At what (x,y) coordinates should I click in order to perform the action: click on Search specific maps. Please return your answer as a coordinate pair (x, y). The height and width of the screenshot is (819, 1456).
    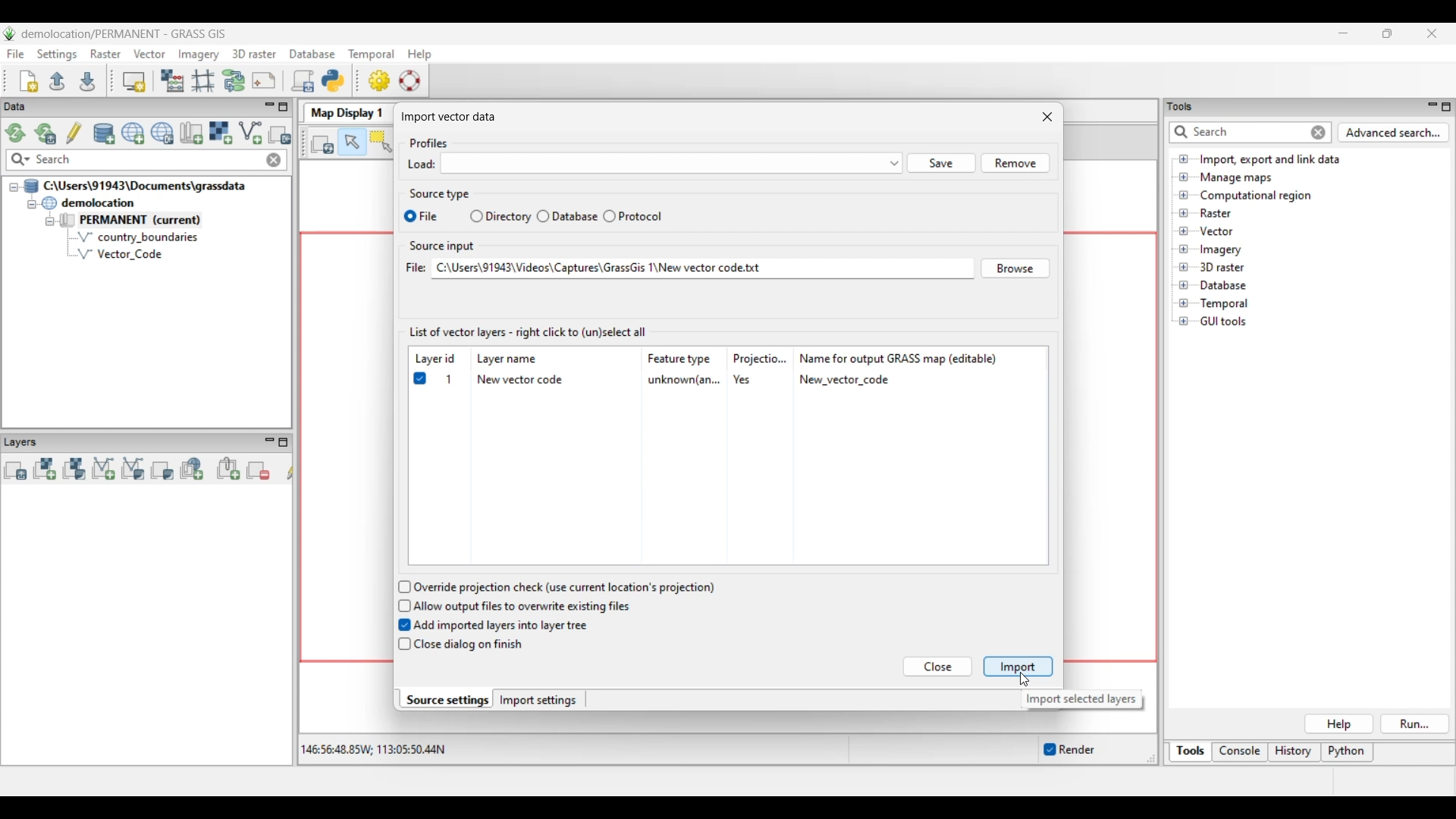
    Looking at the image, I should click on (19, 160).